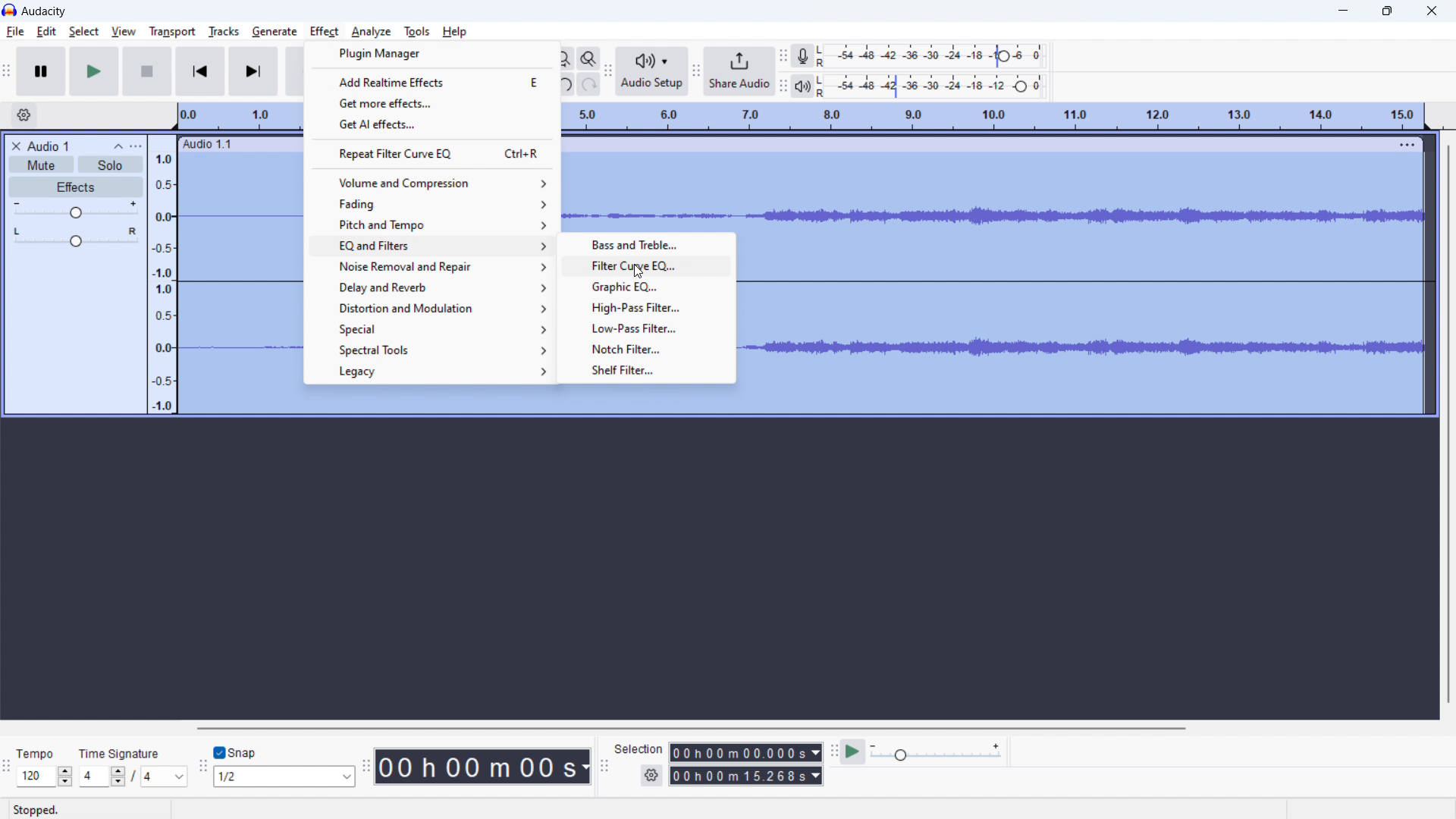 The width and height of the screenshot is (1456, 819). I want to click on Audacity, so click(45, 11).